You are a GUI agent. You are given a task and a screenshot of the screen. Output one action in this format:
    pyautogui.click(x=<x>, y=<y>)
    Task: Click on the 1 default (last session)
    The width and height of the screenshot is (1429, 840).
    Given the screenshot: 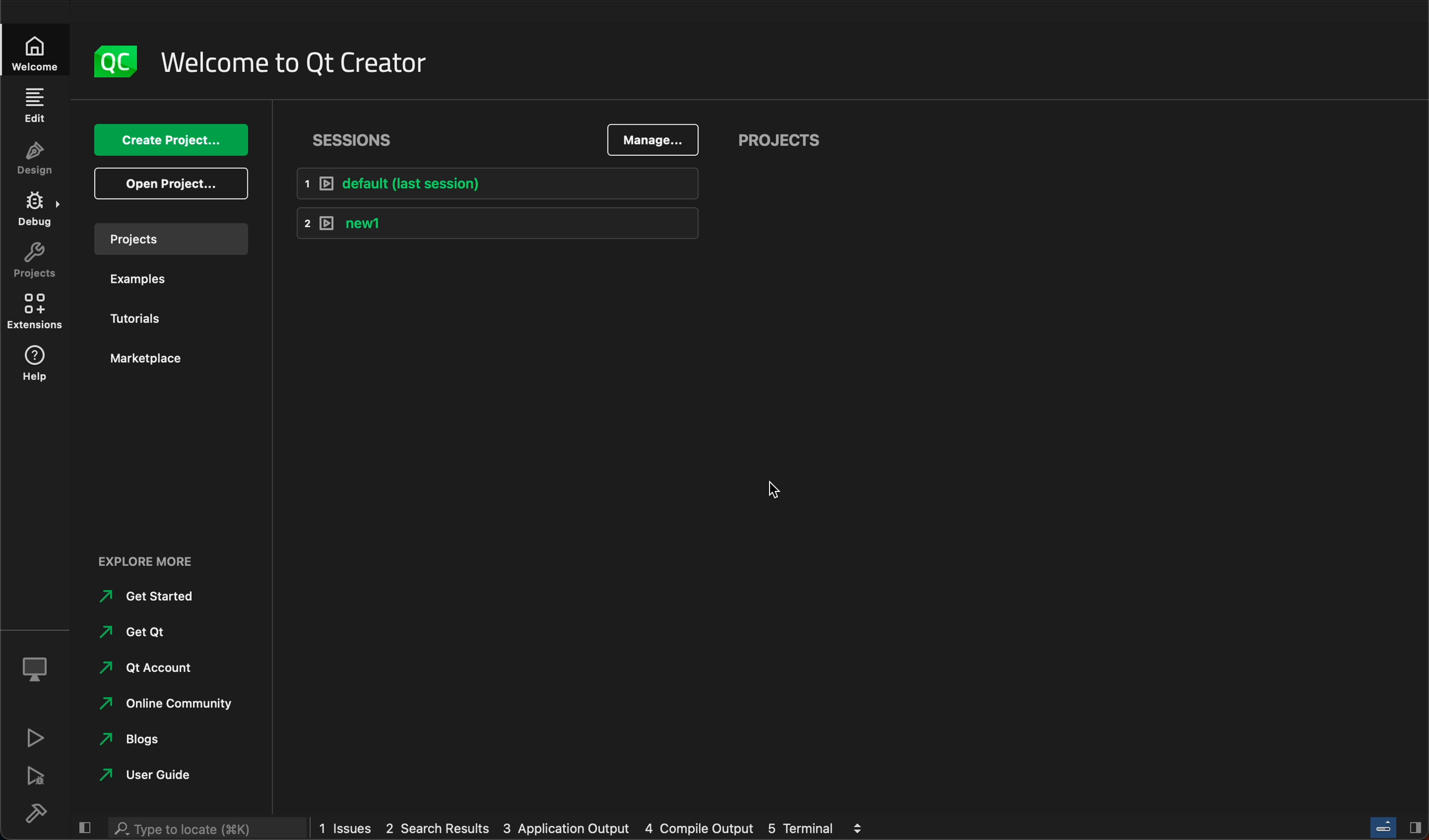 What is the action you would take?
    pyautogui.click(x=500, y=183)
    